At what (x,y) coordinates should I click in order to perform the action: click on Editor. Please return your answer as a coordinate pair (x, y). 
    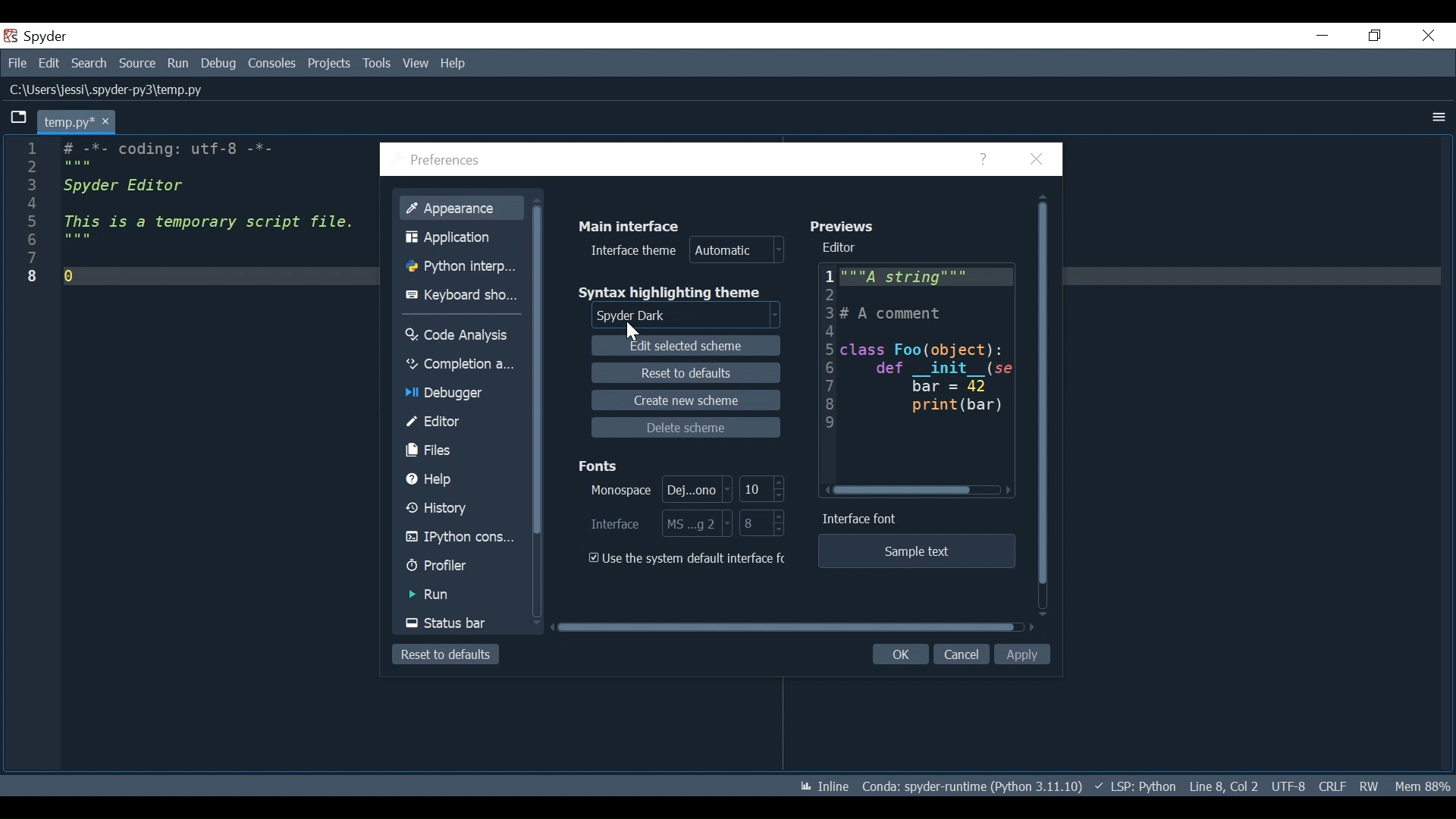
    Looking at the image, I should click on (844, 248).